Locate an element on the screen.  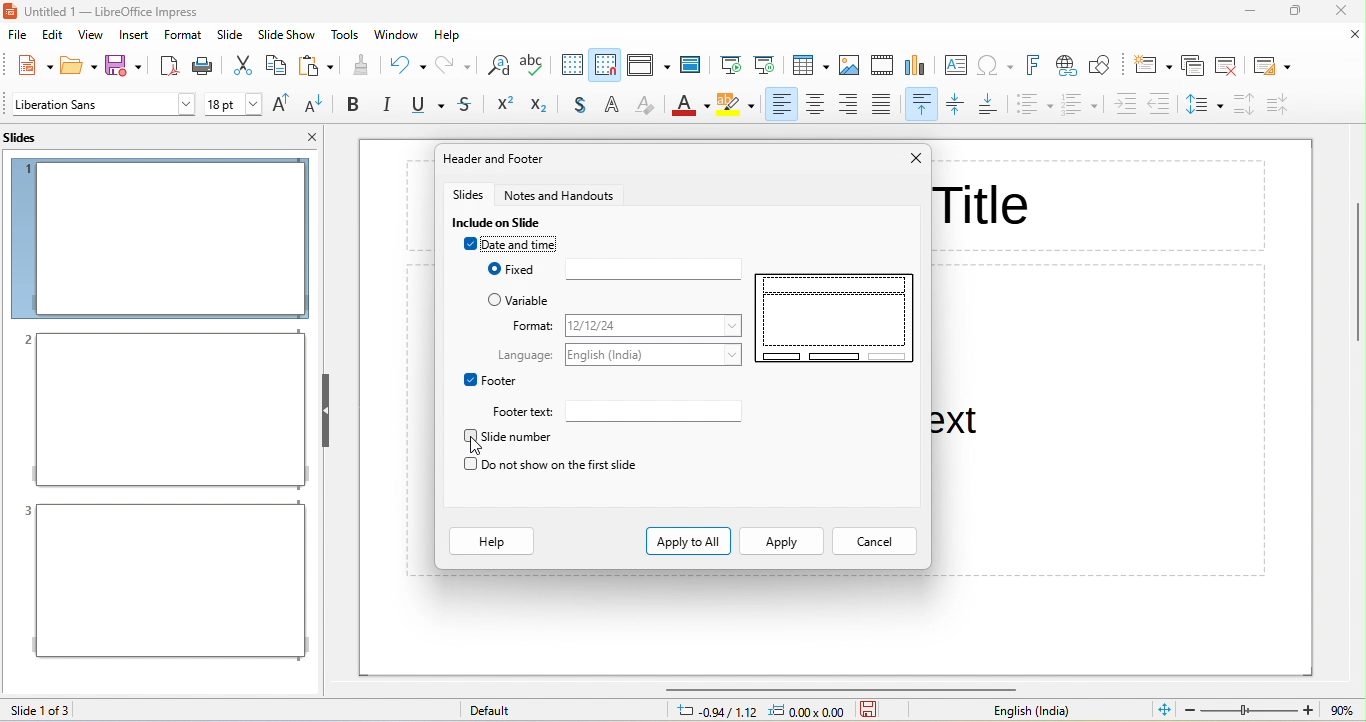
slide 1 is located at coordinates (160, 238).